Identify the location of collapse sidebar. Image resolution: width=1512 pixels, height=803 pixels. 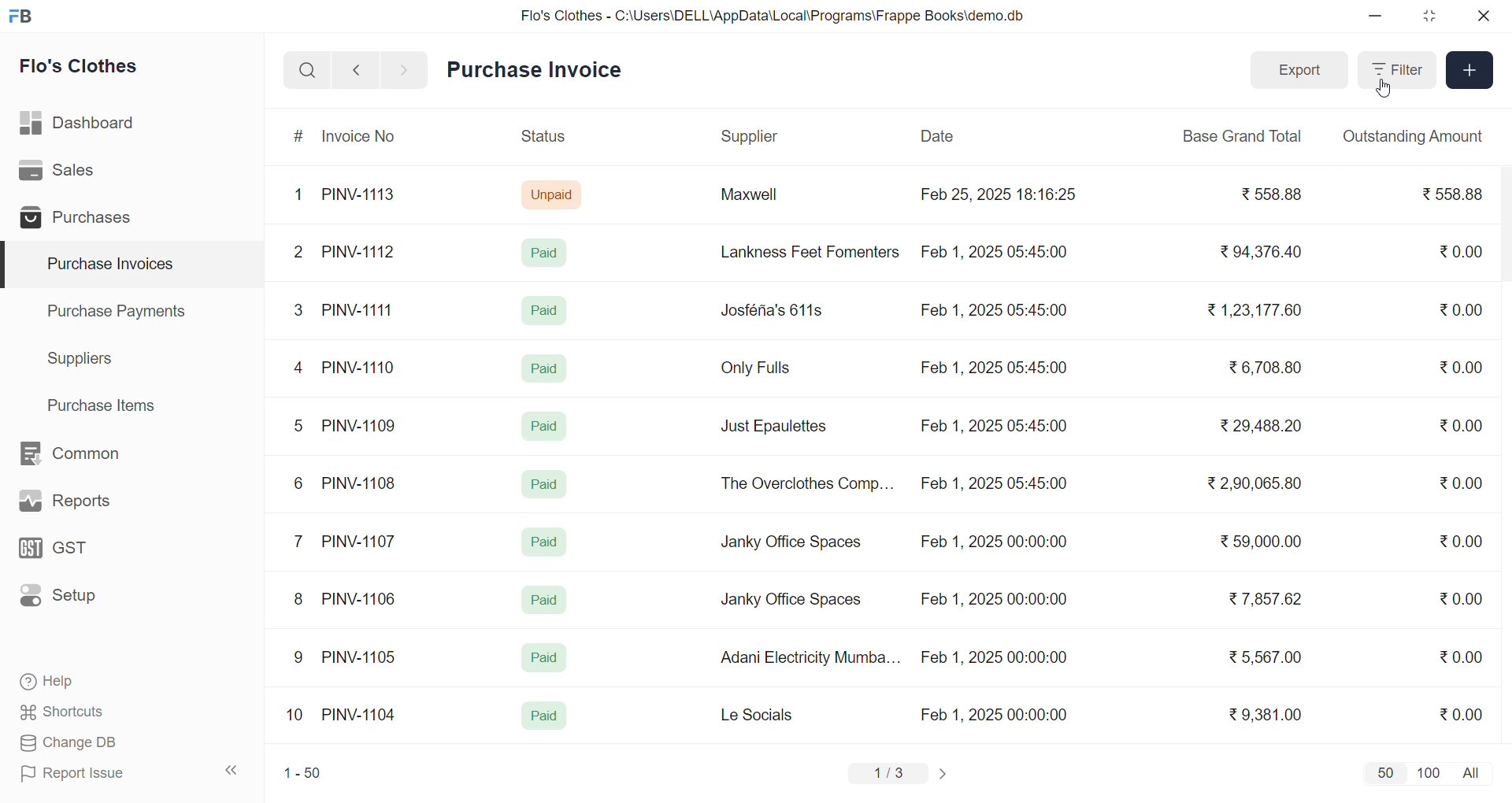
(232, 771).